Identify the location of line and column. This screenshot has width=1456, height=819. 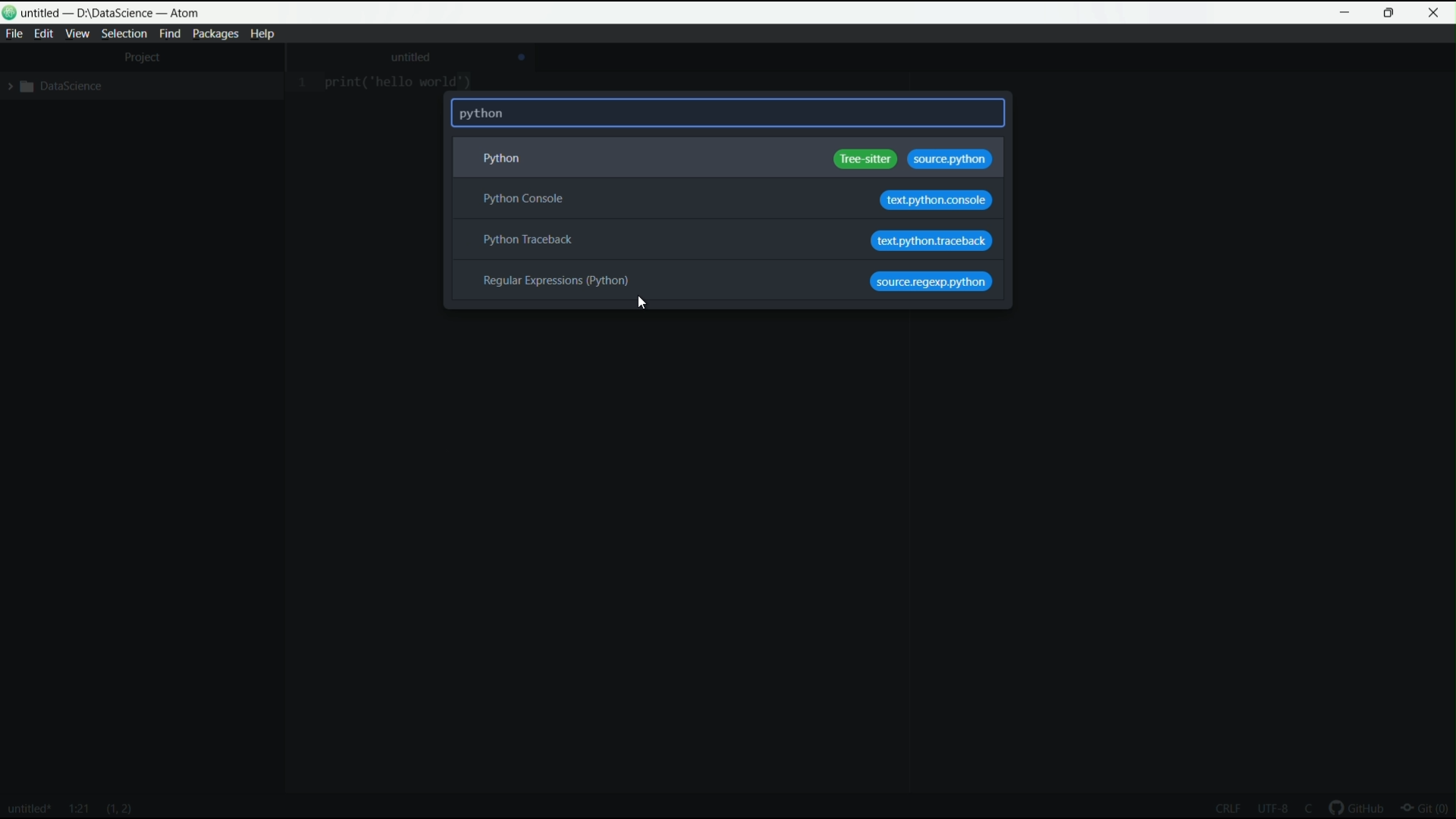
(79, 809).